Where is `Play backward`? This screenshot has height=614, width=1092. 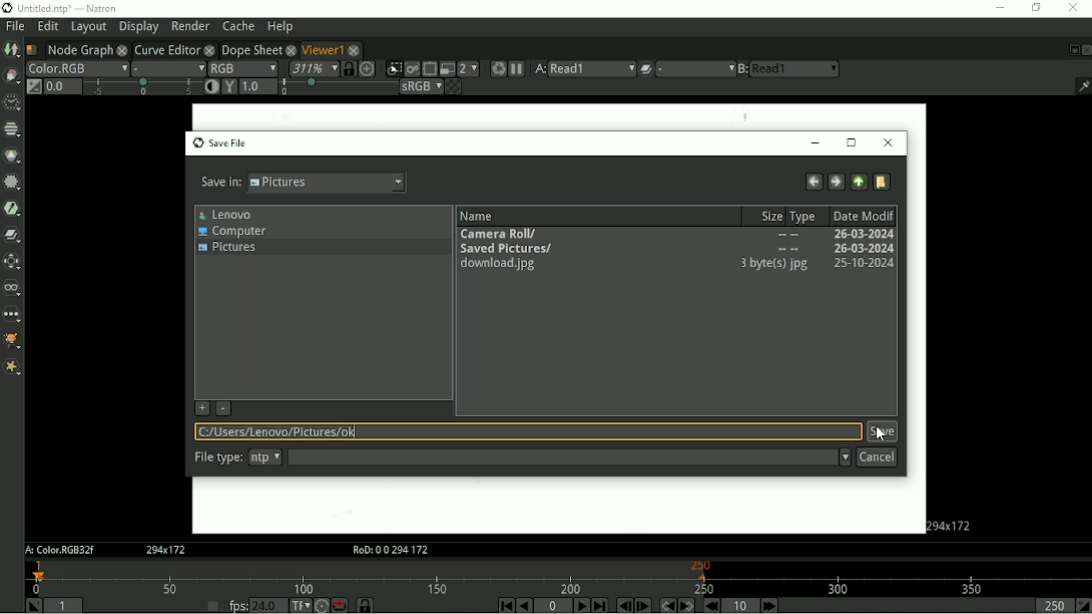 Play backward is located at coordinates (524, 605).